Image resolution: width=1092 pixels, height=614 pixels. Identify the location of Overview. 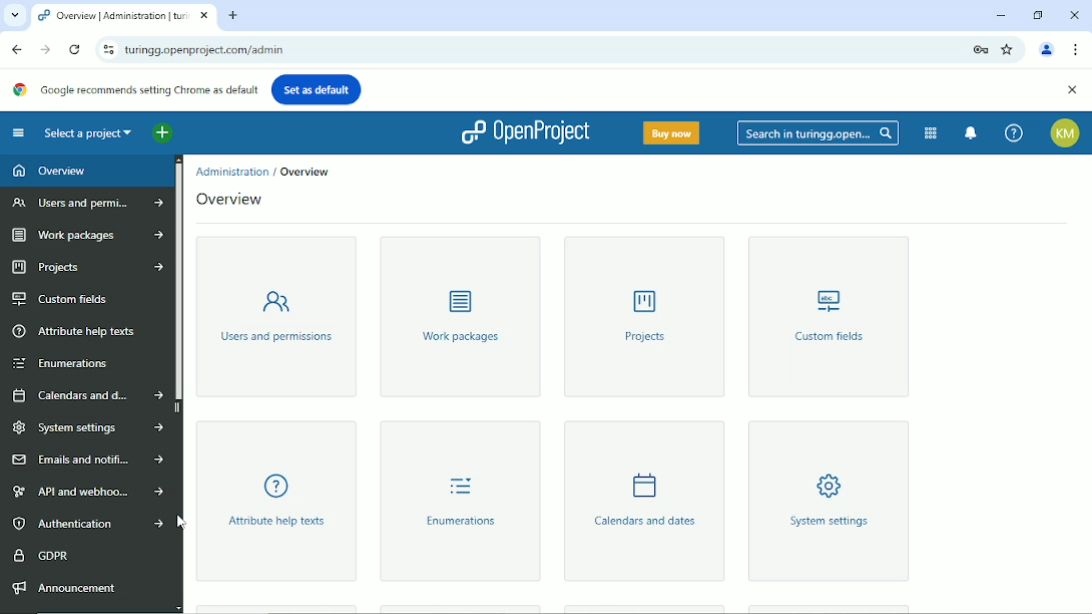
(308, 171).